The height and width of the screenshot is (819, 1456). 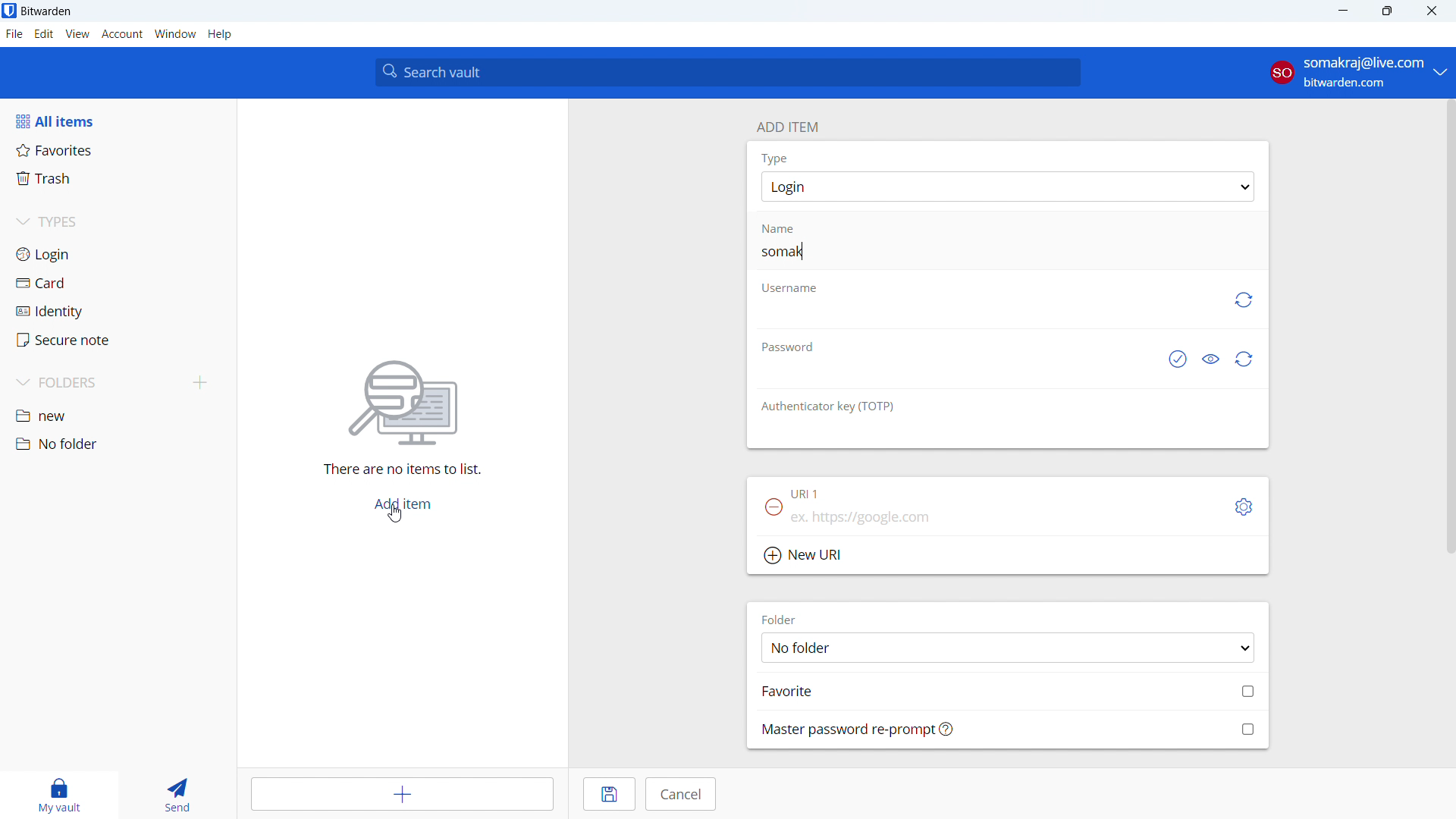 What do you see at coordinates (117, 179) in the screenshot?
I see `trash` at bounding box center [117, 179].